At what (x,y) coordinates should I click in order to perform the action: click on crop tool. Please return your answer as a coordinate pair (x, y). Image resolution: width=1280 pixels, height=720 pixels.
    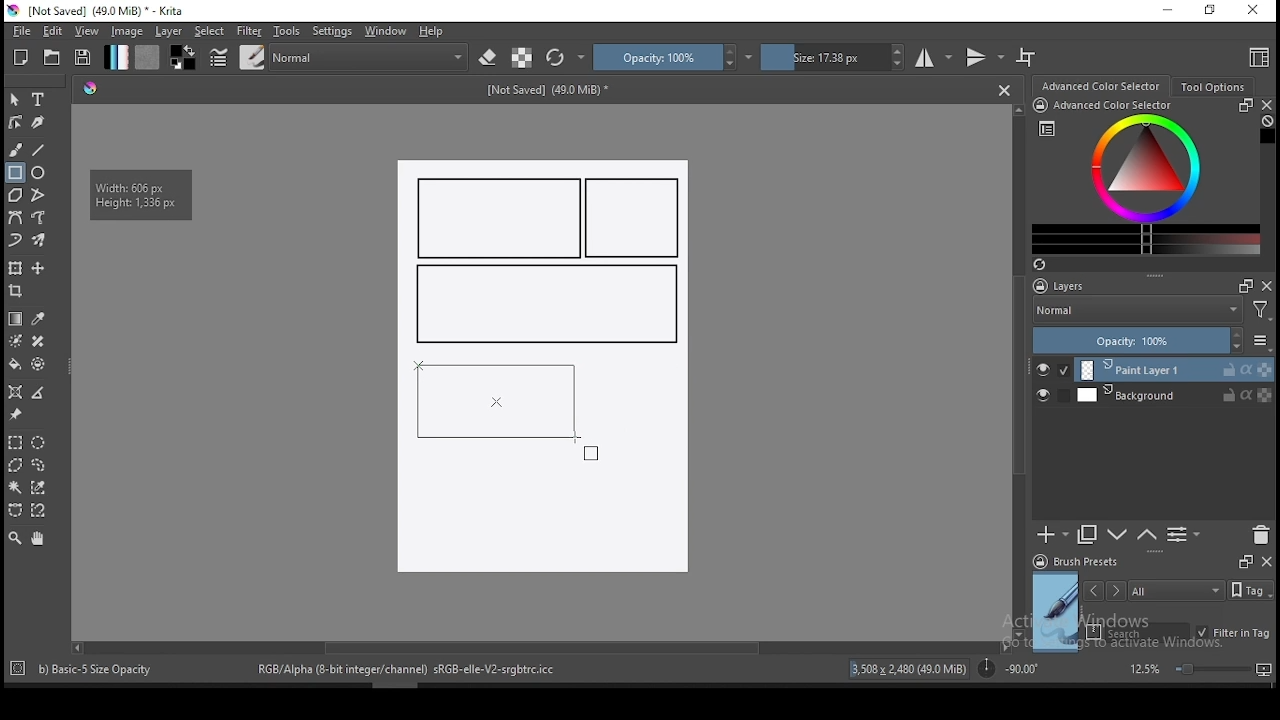
    Looking at the image, I should click on (18, 293).